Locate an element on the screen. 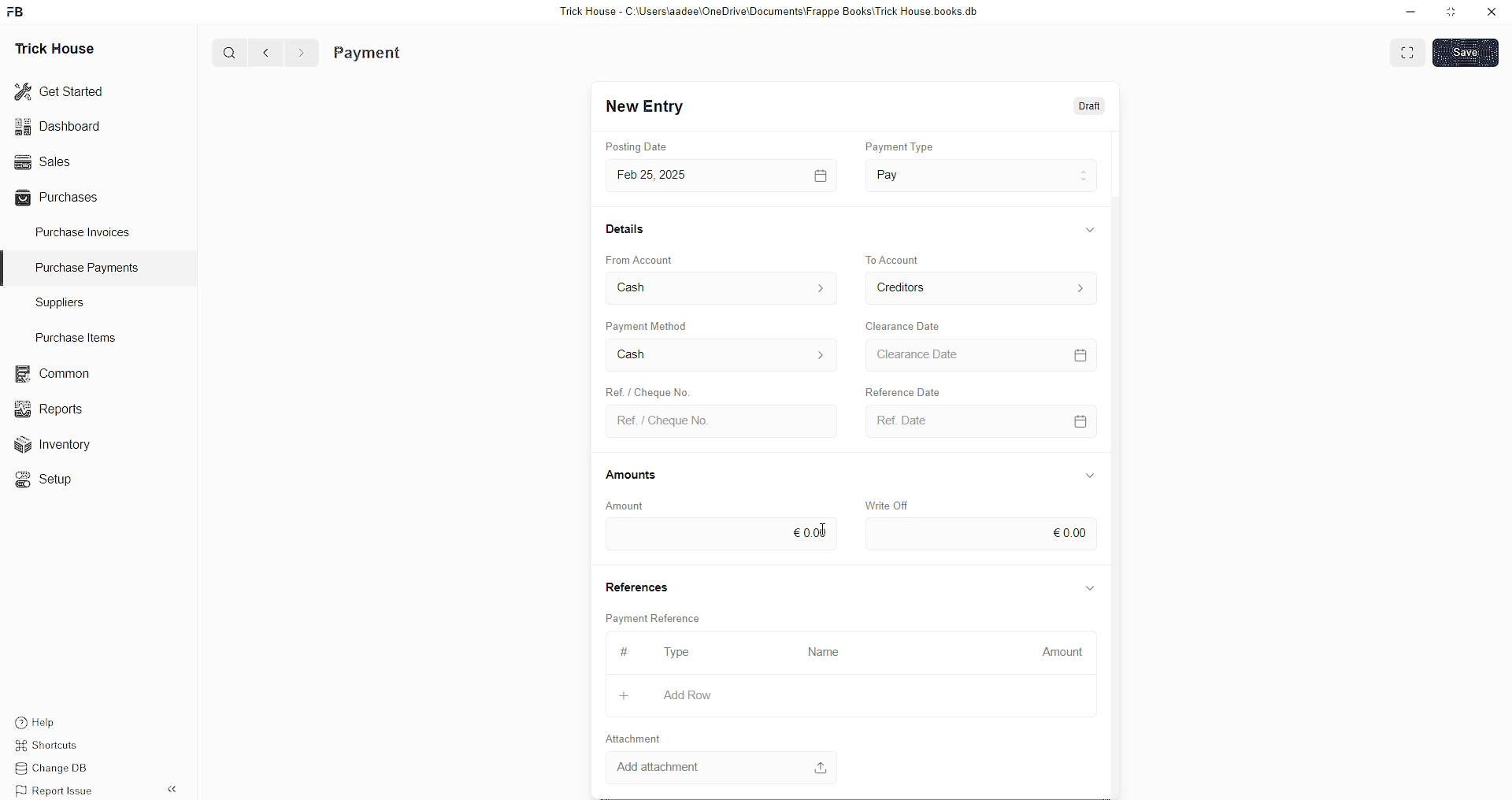 This screenshot has width=1512, height=800. Sales is located at coordinates (41, 160).